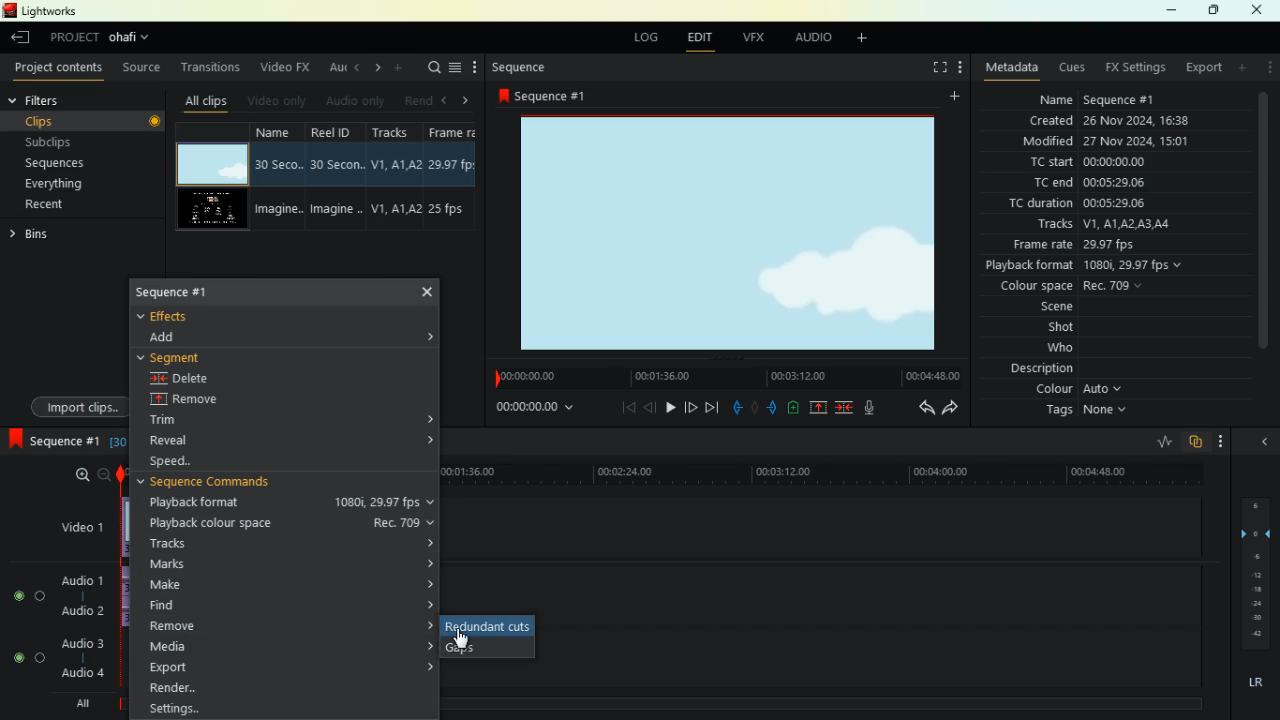  What do you see at coordinates (288, 523) in the screenshot?
I see `playback colour space` at bounding box center [288, 523].